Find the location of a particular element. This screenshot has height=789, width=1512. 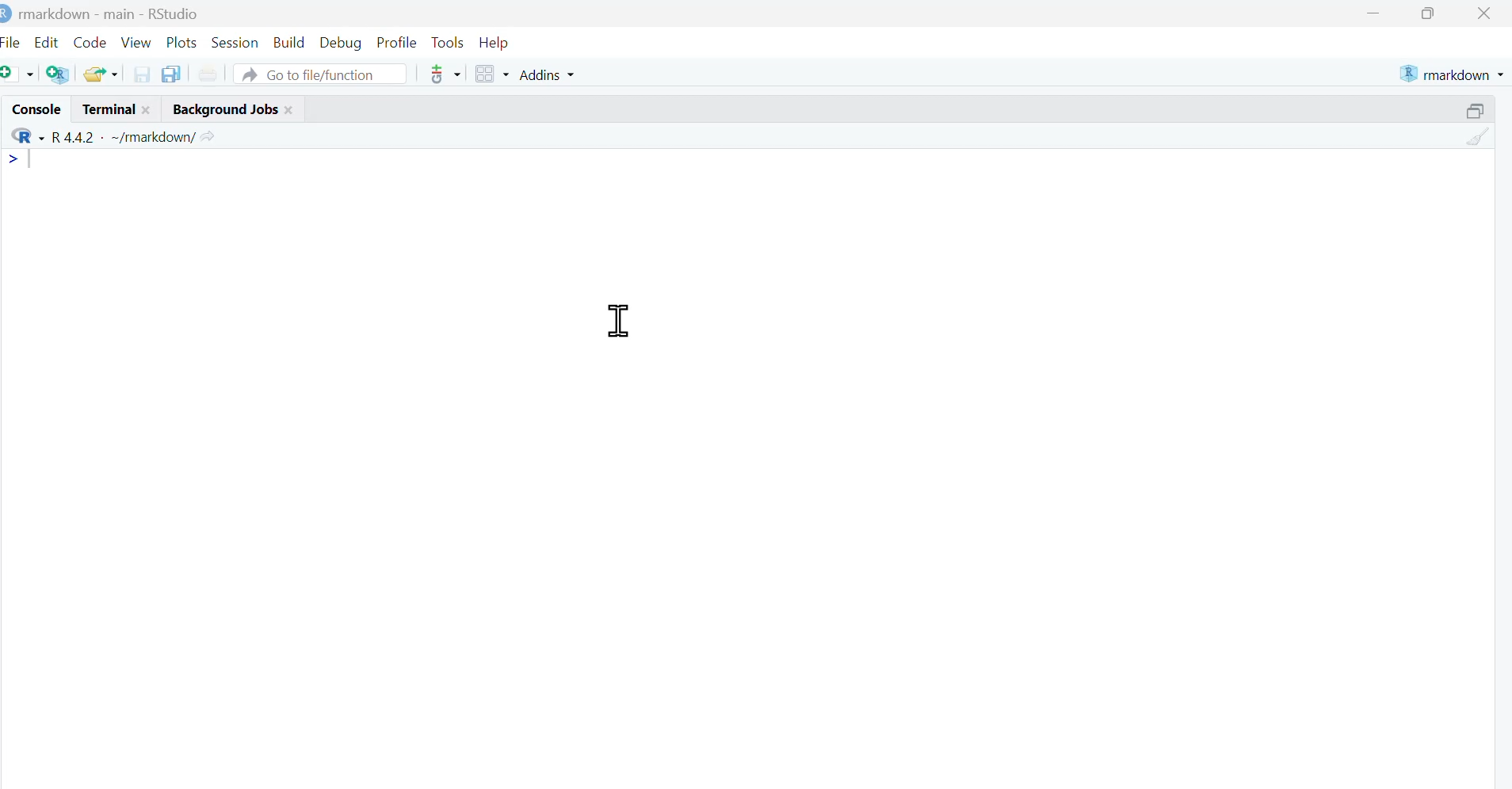

cursor is located at coordinates (620, 321).